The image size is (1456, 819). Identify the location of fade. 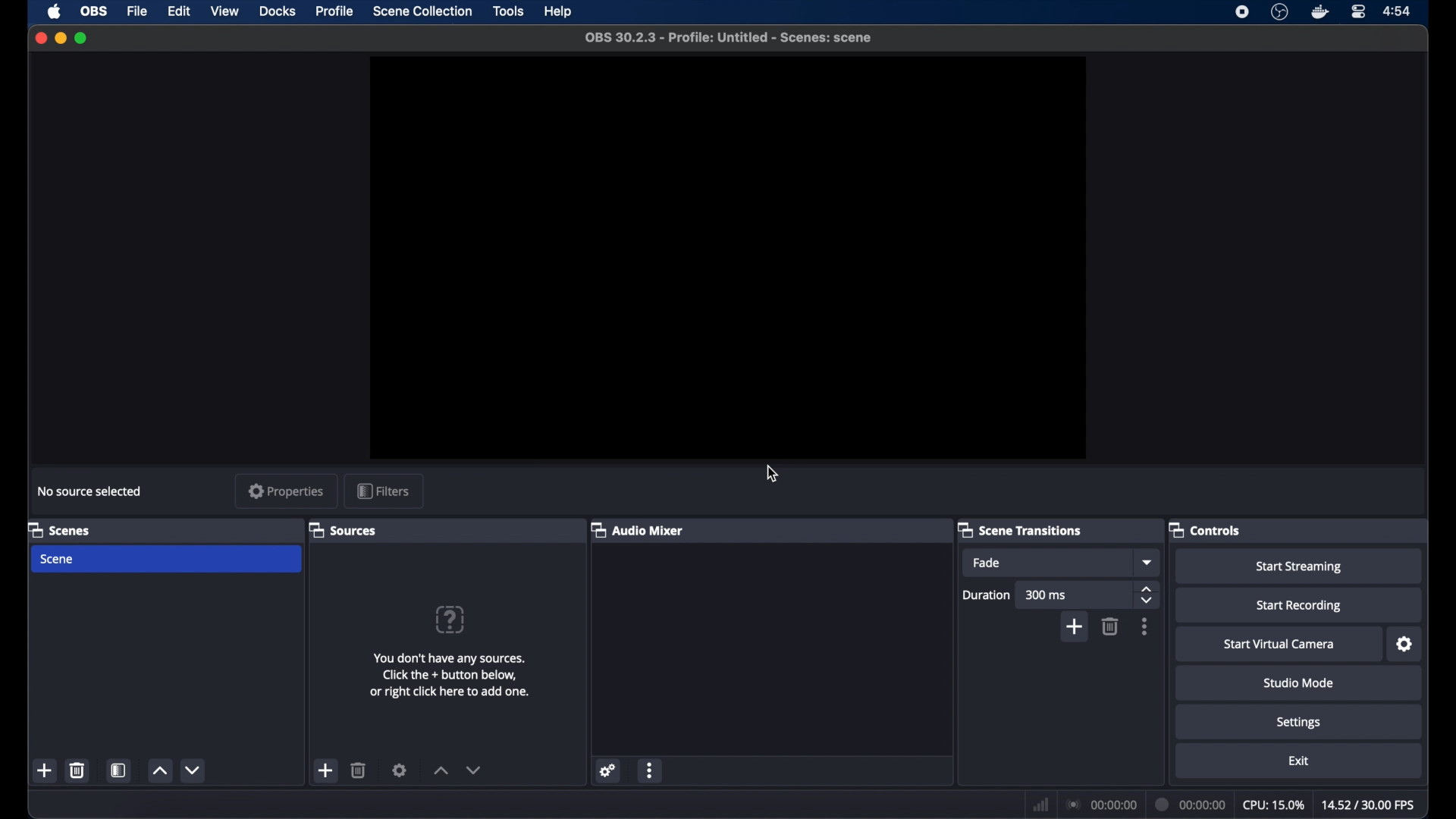
(986, 563).